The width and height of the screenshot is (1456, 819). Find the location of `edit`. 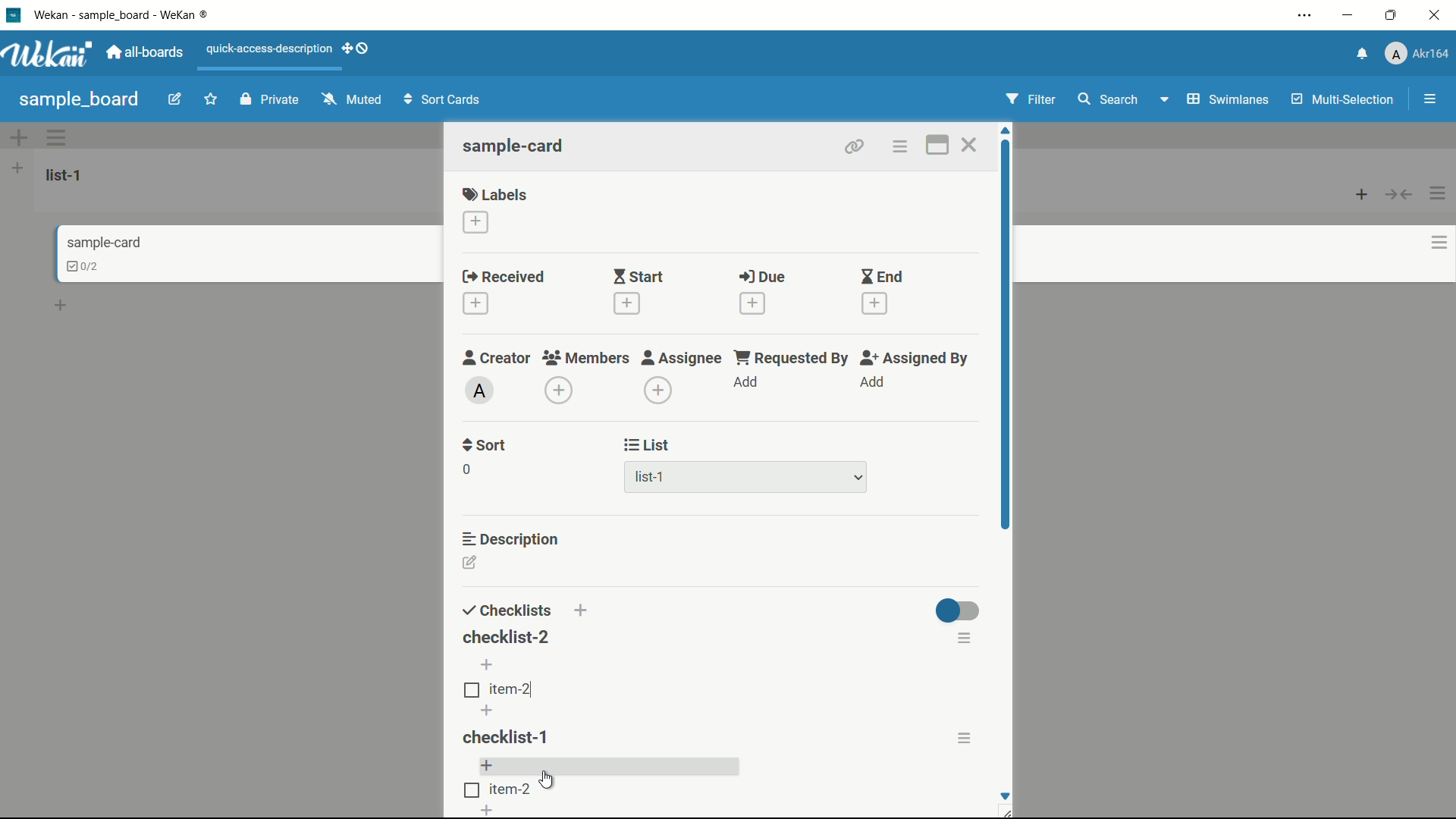

edit is located at coordinates (175, 101).